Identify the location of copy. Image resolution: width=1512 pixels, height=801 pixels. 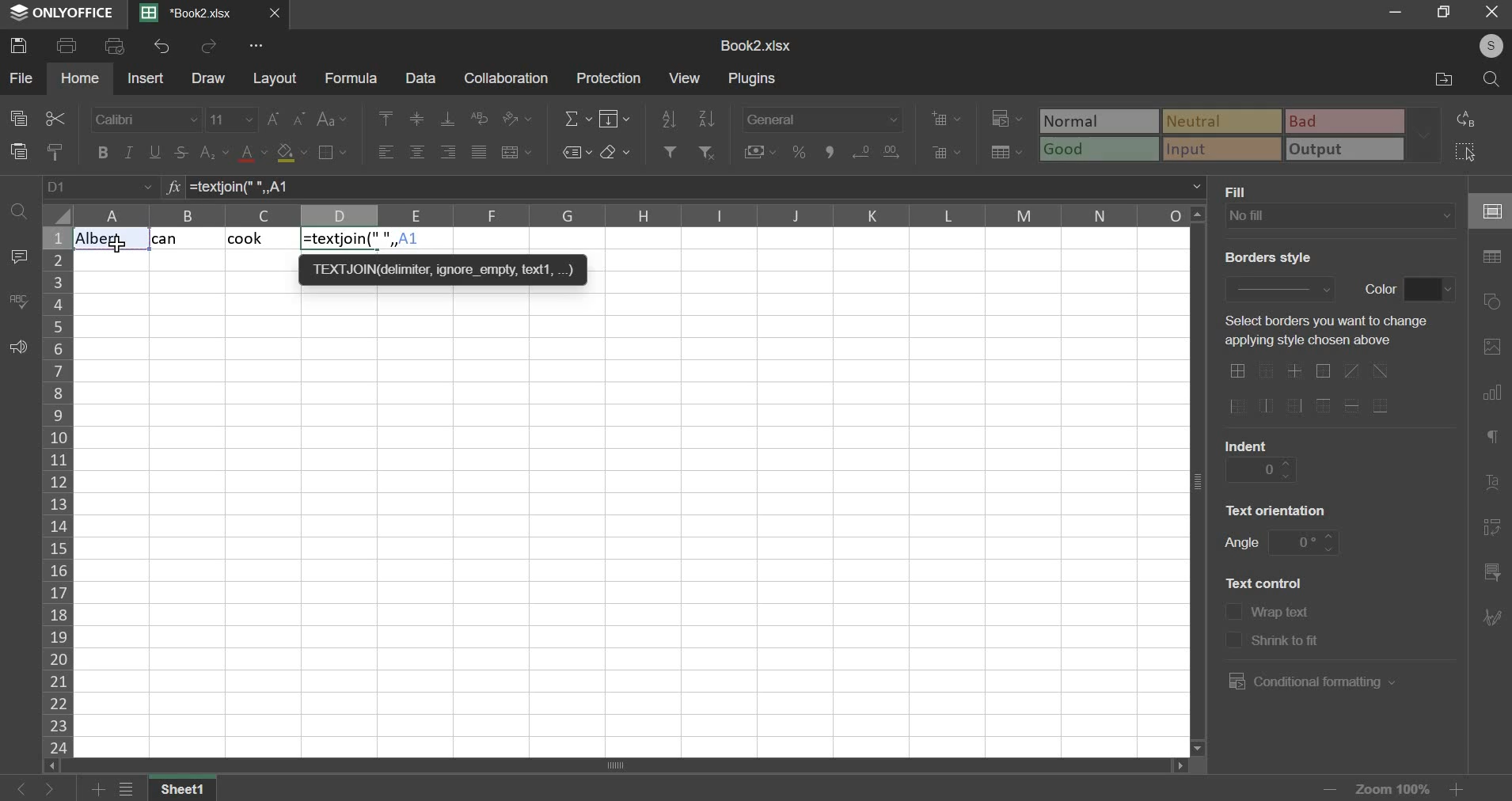
(18, 119).